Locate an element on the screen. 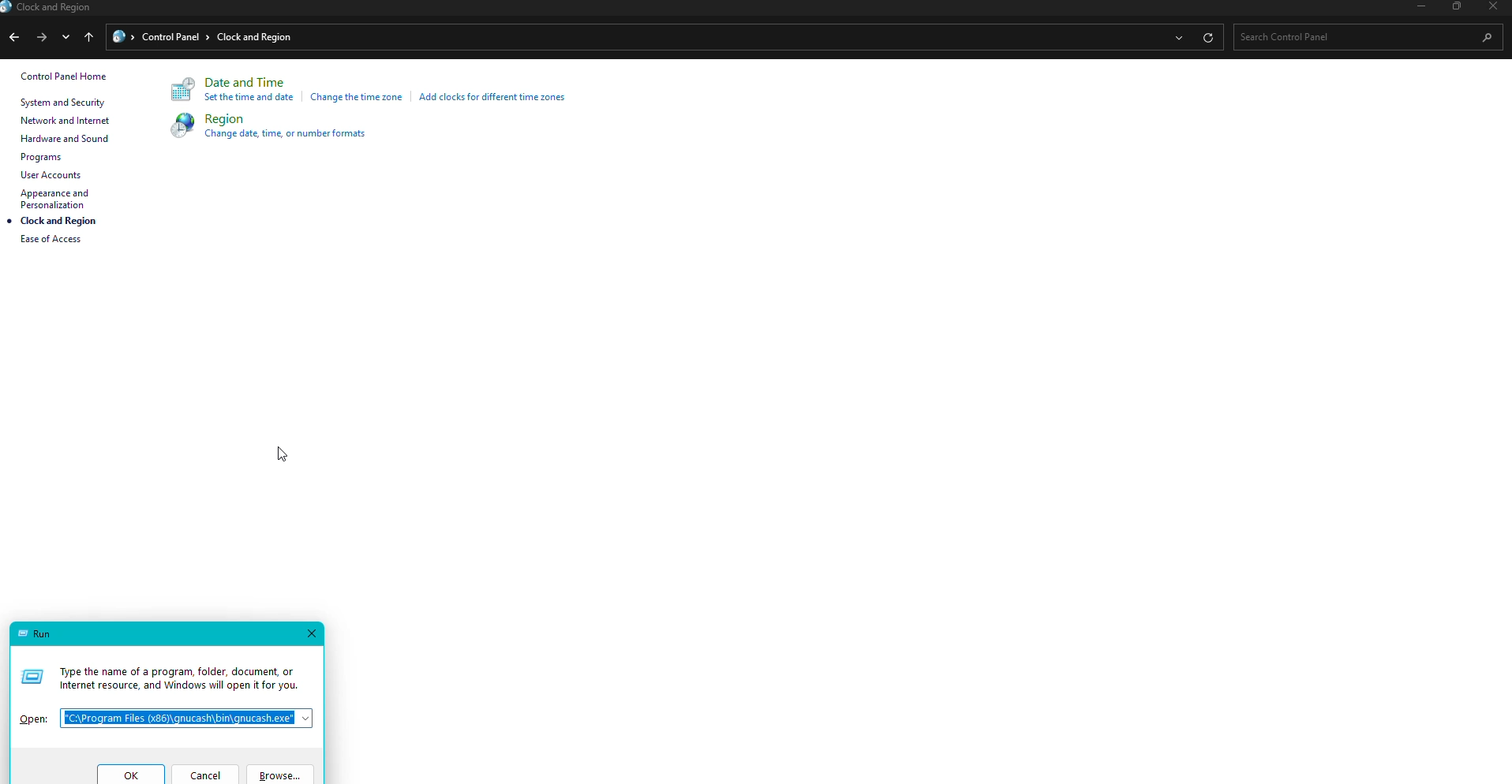 This screenshot has width=1512, height=784. more options is located at coordinates (1177, 39).